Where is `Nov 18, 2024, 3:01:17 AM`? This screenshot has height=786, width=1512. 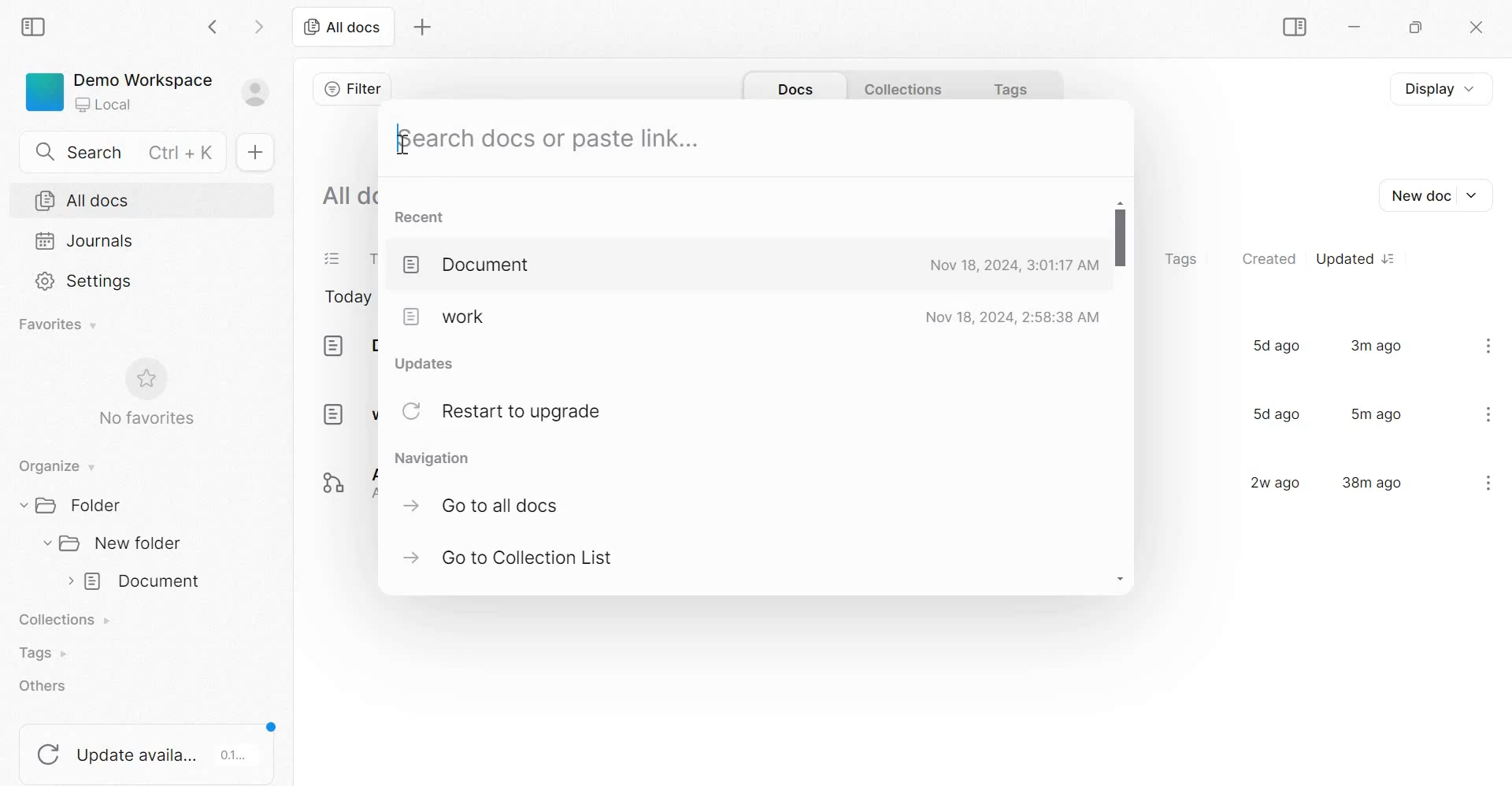 Nov 18, 2024, 3:01:17 AM is located at coordinates (1013, 265).